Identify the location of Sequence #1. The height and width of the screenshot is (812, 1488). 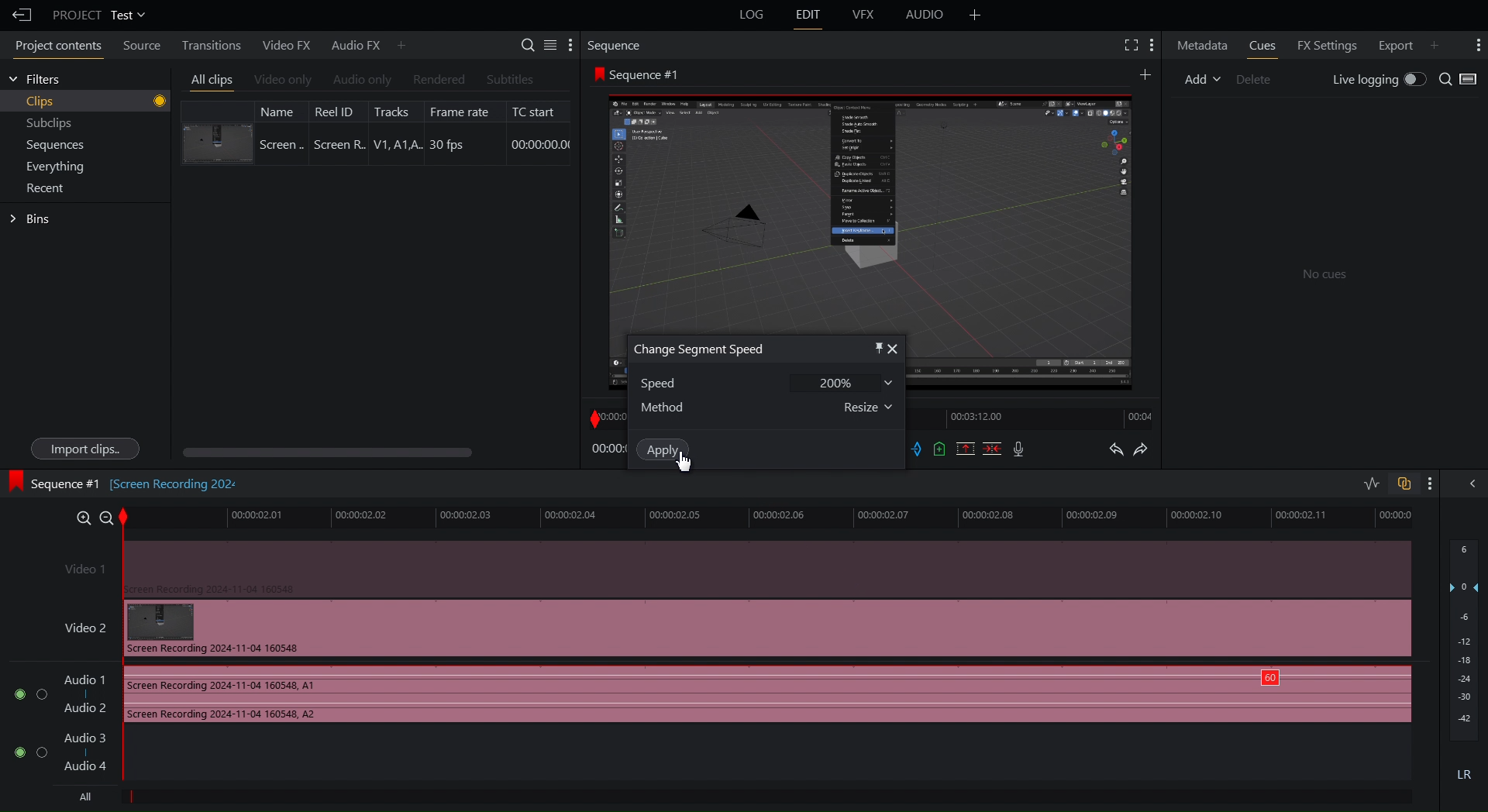
(640, 74).